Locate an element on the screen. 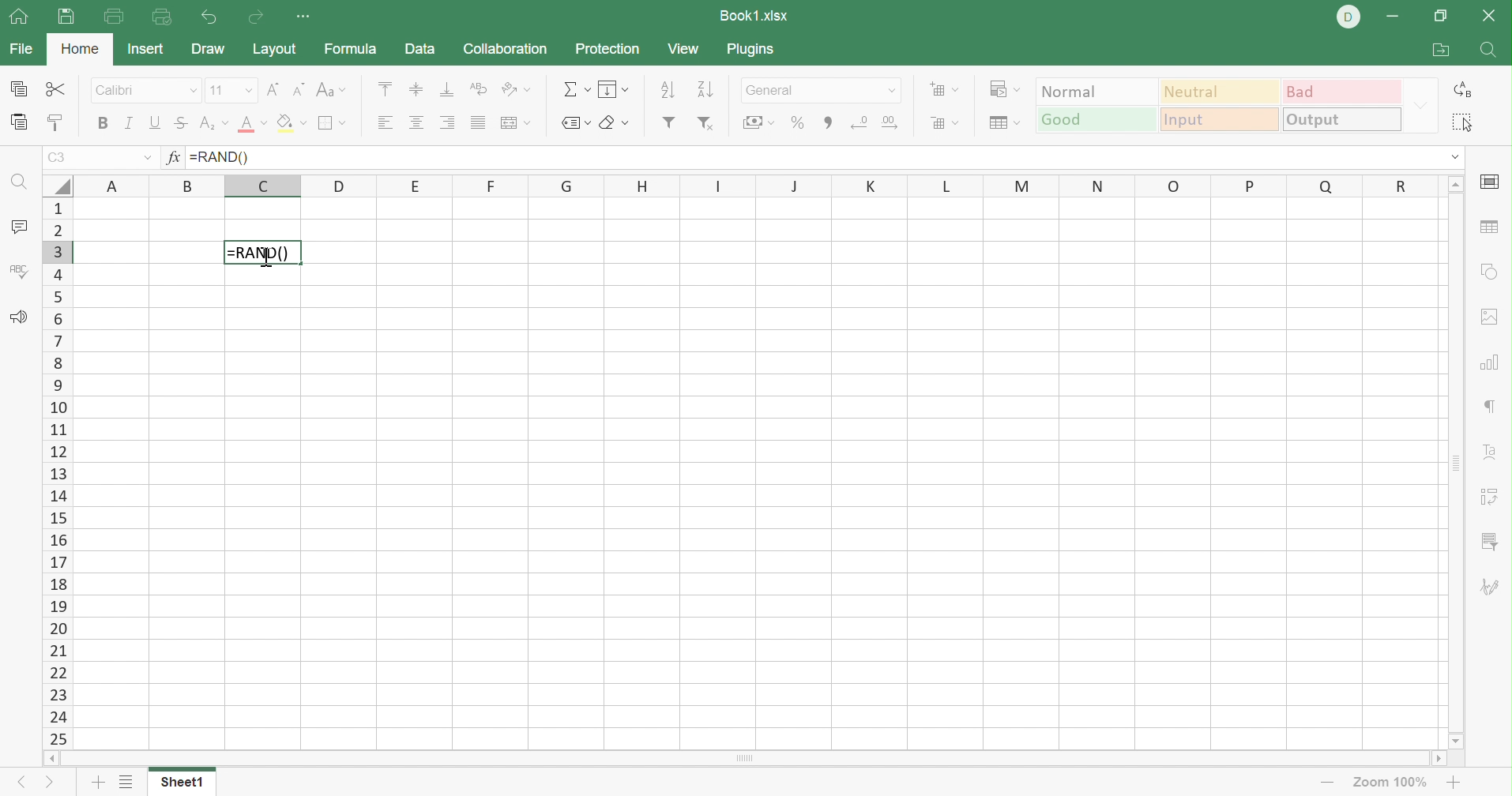 This screenshot has width=1512, height=796. Drop is located at coordinates (1420, 104).